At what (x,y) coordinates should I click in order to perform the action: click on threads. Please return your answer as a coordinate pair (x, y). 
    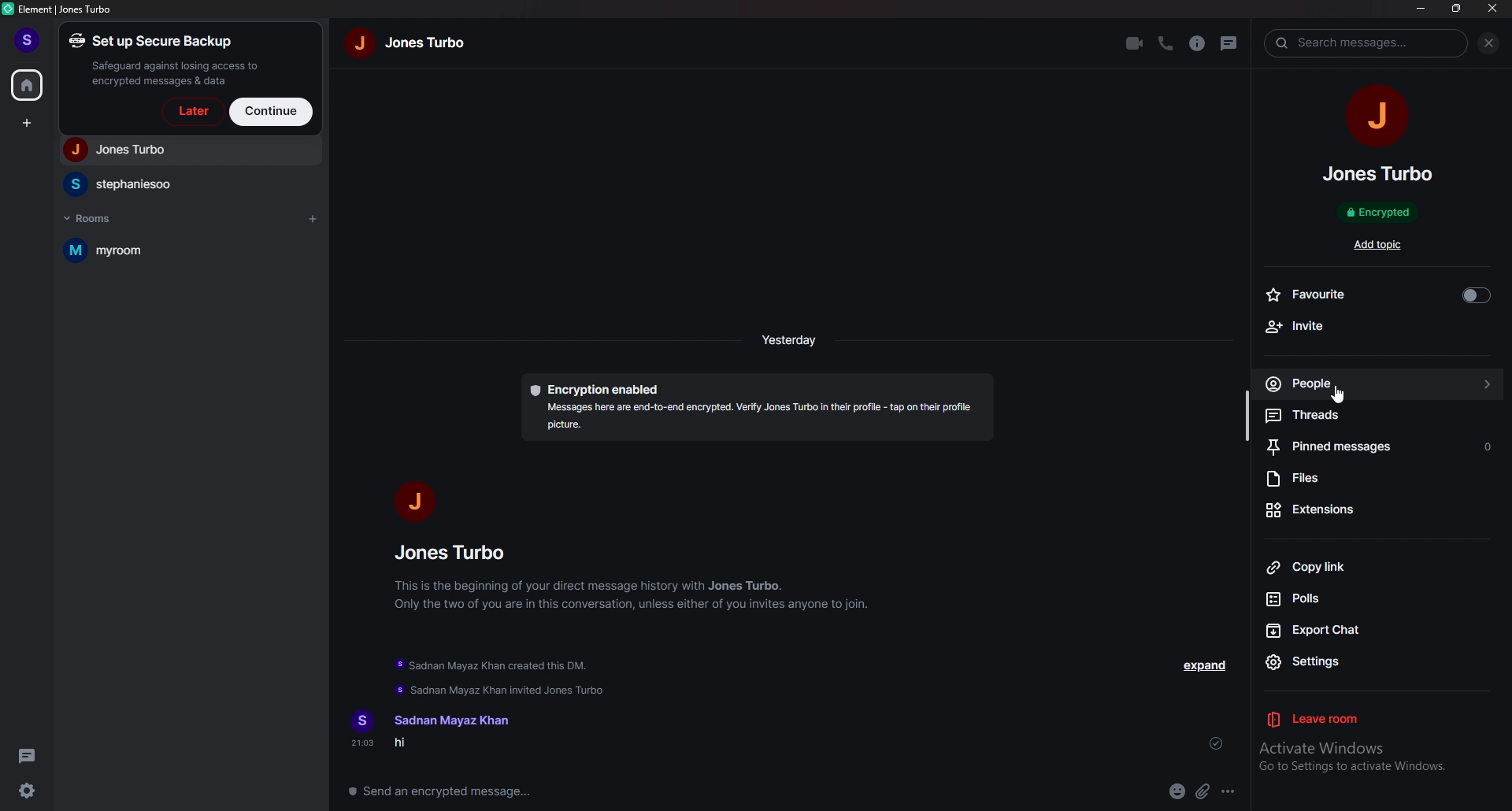
    Looking at the image, I should click on (1379, 415).